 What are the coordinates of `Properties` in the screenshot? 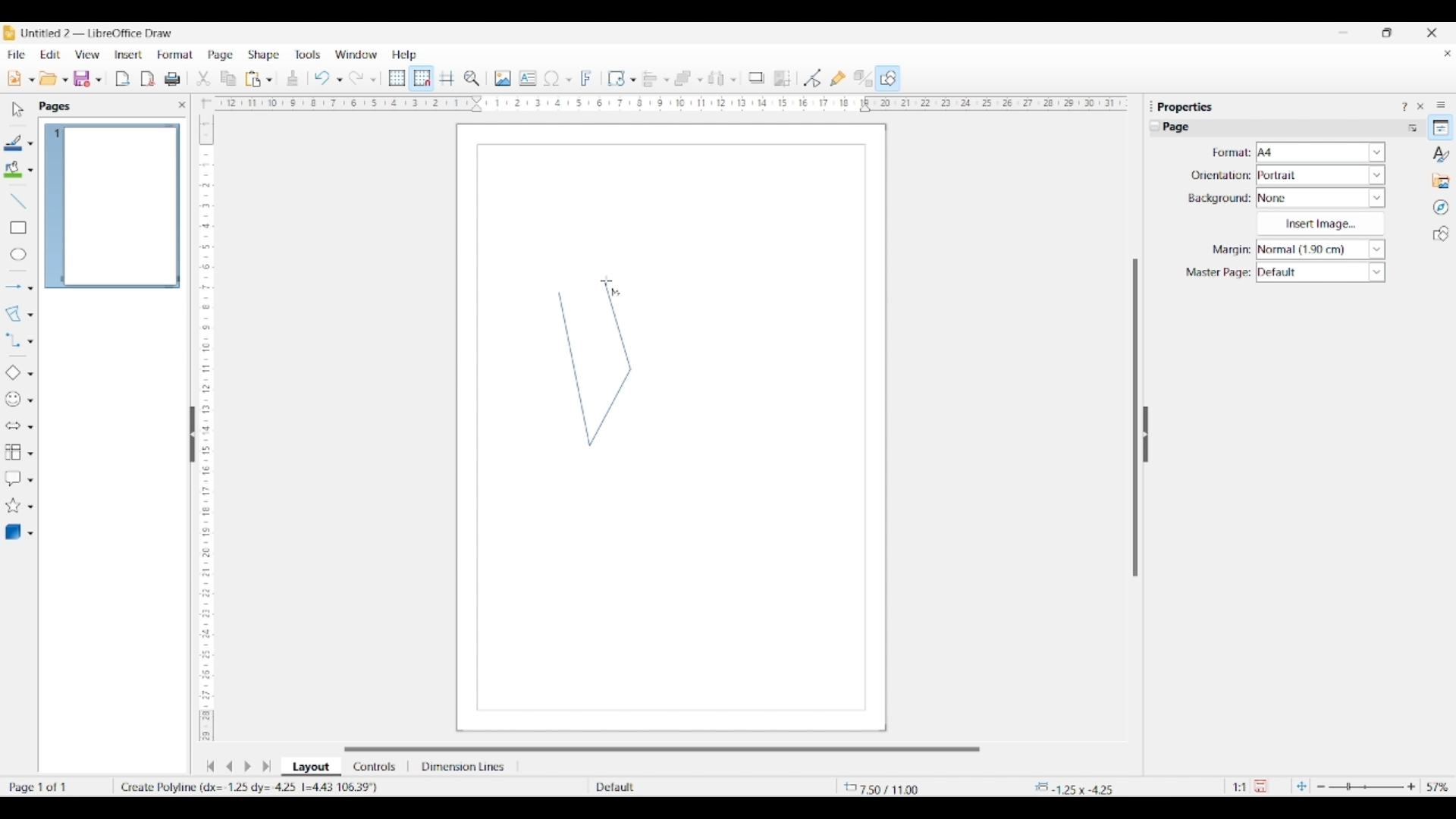 It's located at (1441, 127).